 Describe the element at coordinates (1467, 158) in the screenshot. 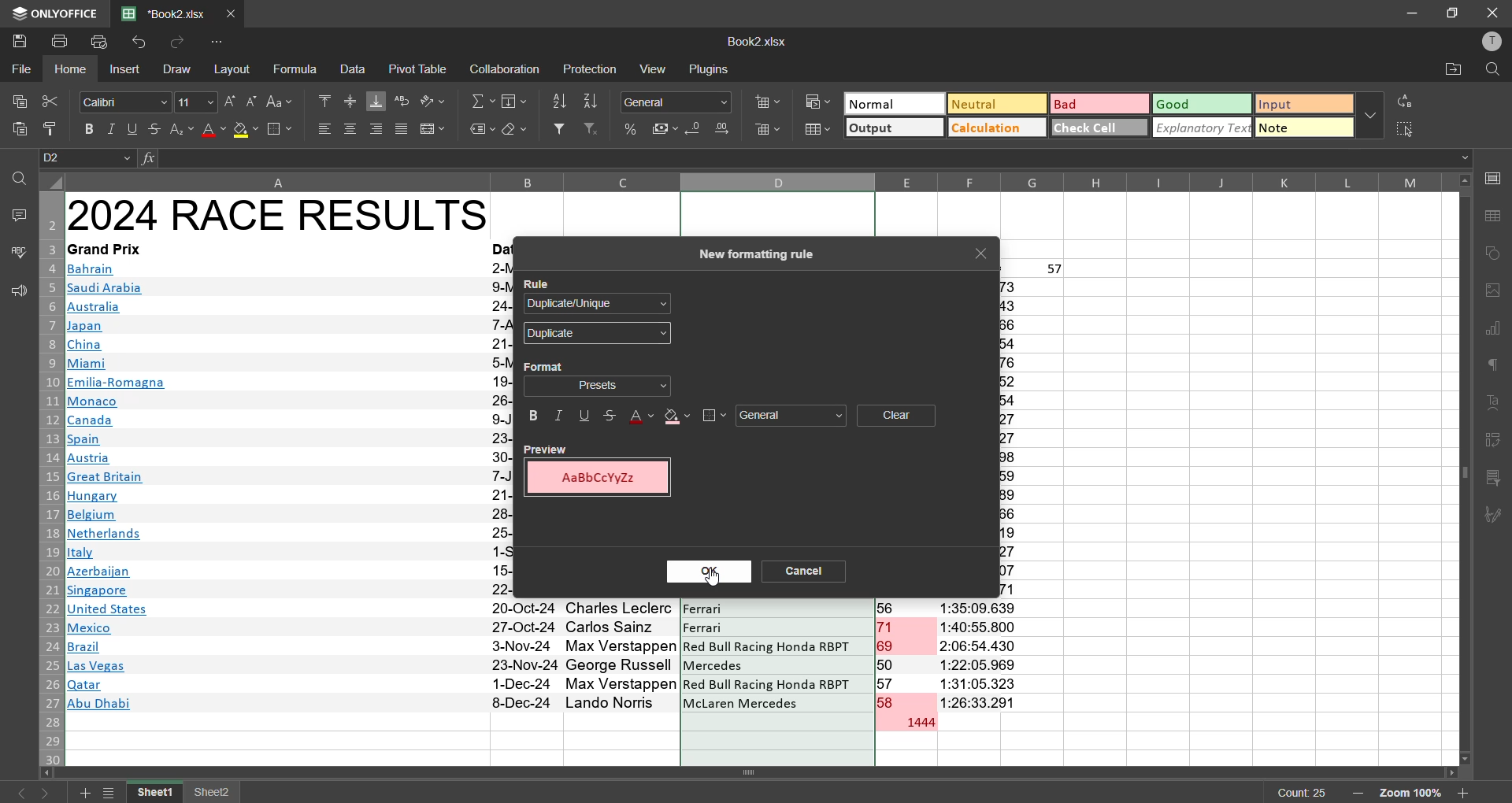

I see `Drop-down ` at that location.